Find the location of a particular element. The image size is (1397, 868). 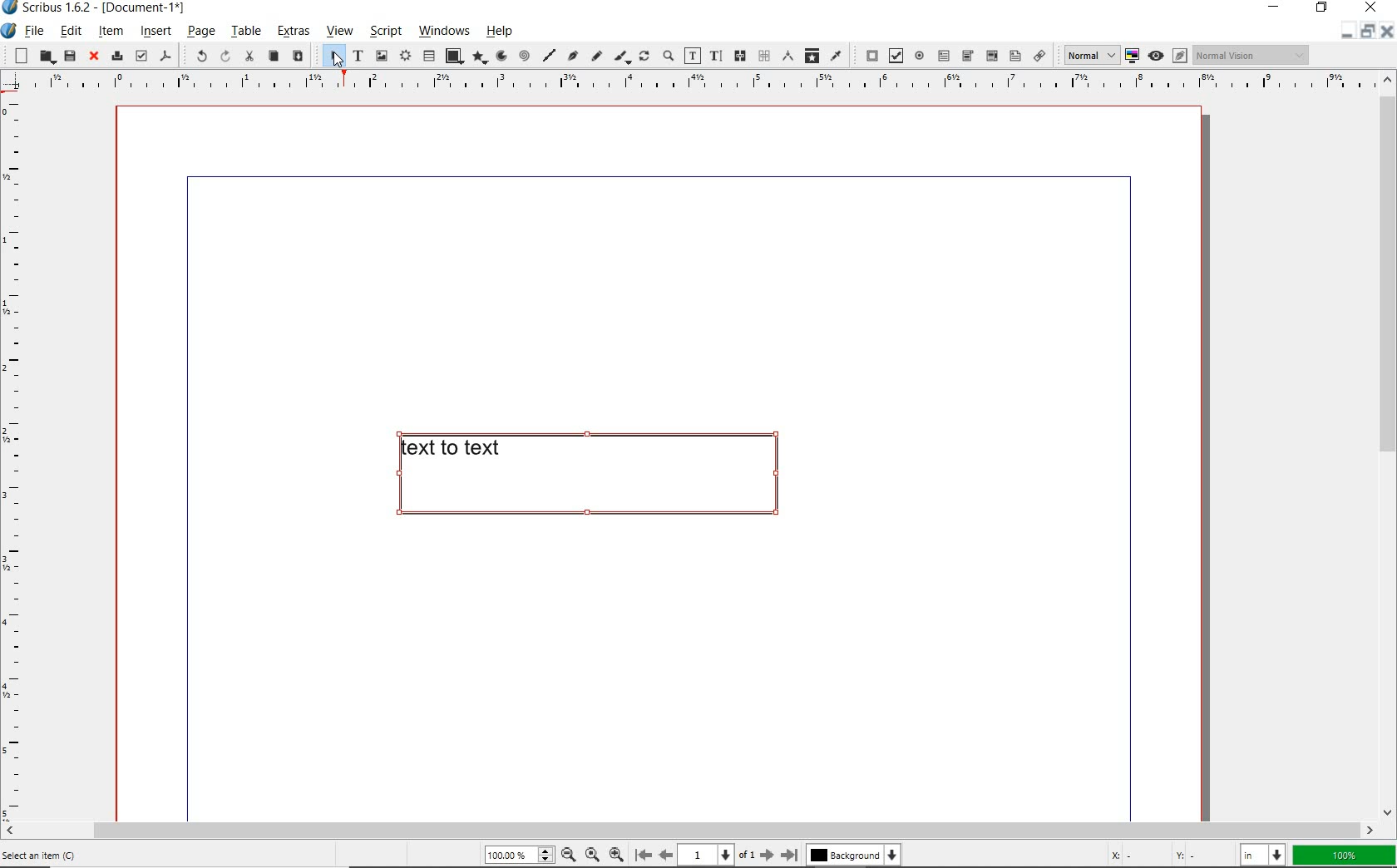

Zoom to 100% is located at coordinates (590, 854).